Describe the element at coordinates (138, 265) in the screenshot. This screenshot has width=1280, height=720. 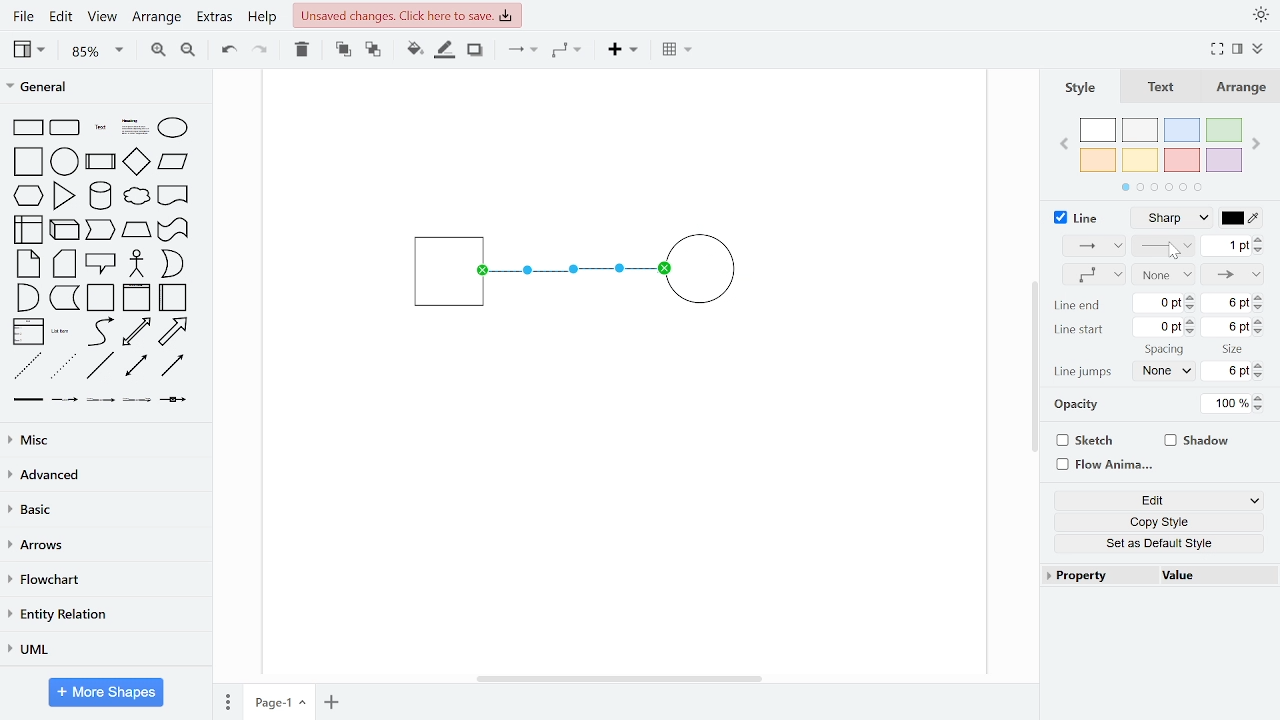
I see `actor` at that location.